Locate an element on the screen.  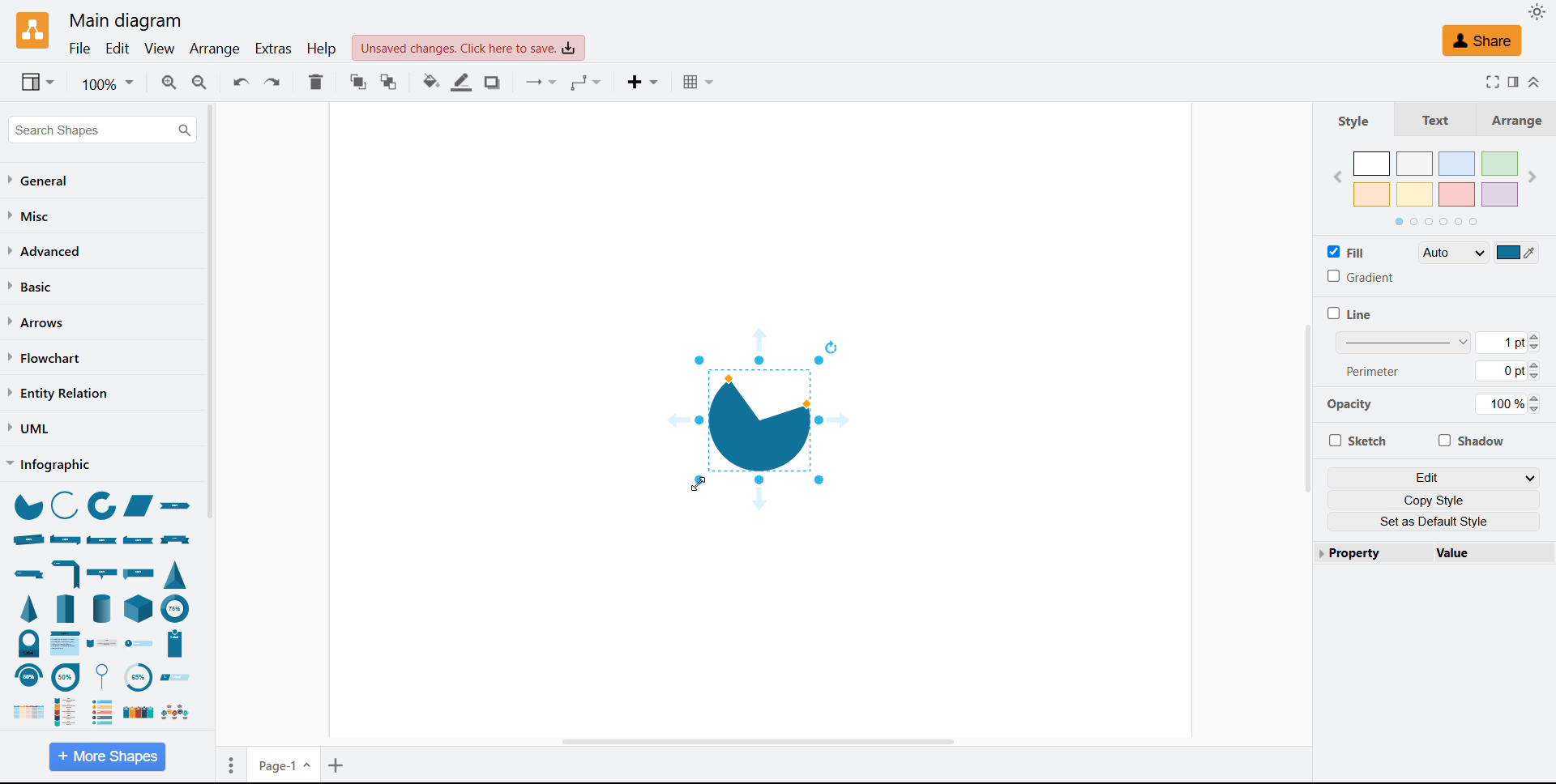
Page 1  is located at coordinates (285, 764).